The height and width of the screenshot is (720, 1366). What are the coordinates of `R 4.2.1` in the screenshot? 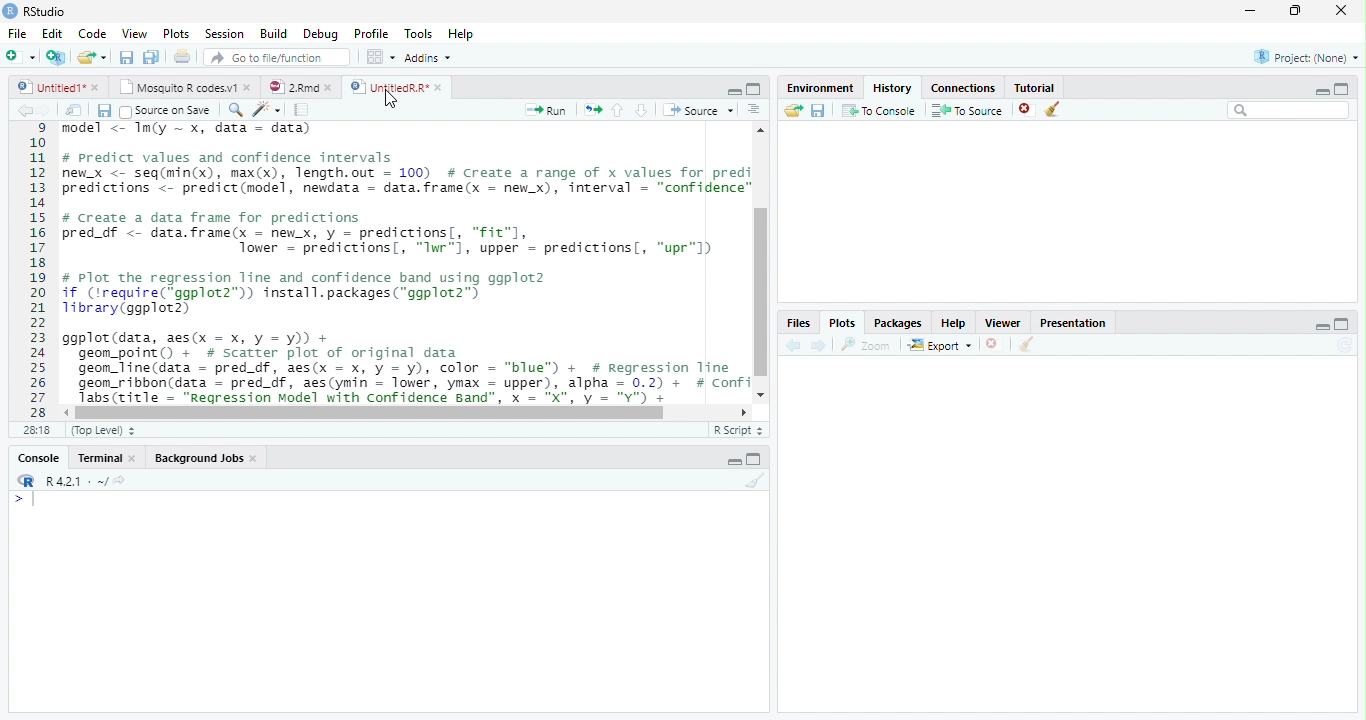 It's located at (67, 480).